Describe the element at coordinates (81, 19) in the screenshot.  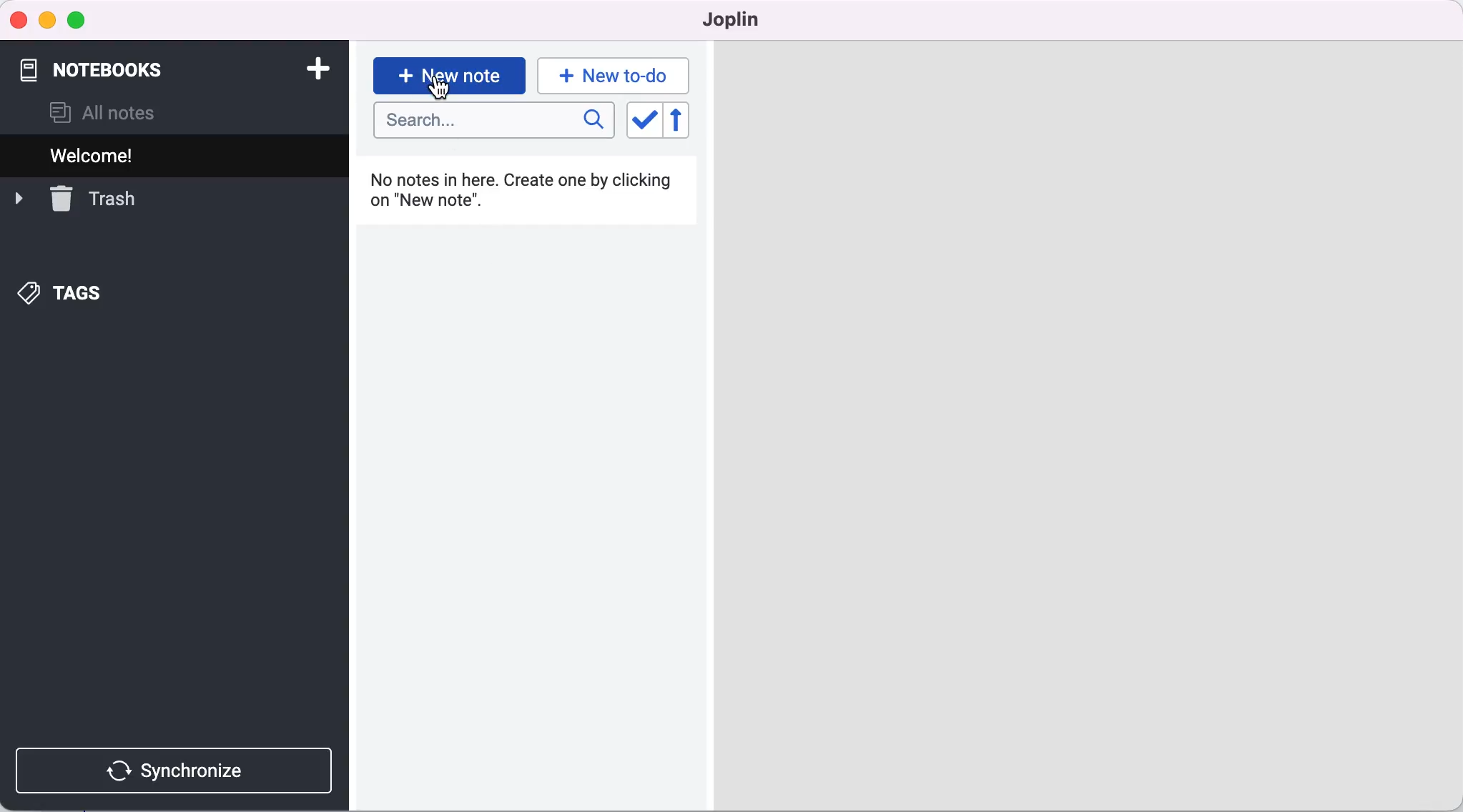
I see `maximize` at that location.